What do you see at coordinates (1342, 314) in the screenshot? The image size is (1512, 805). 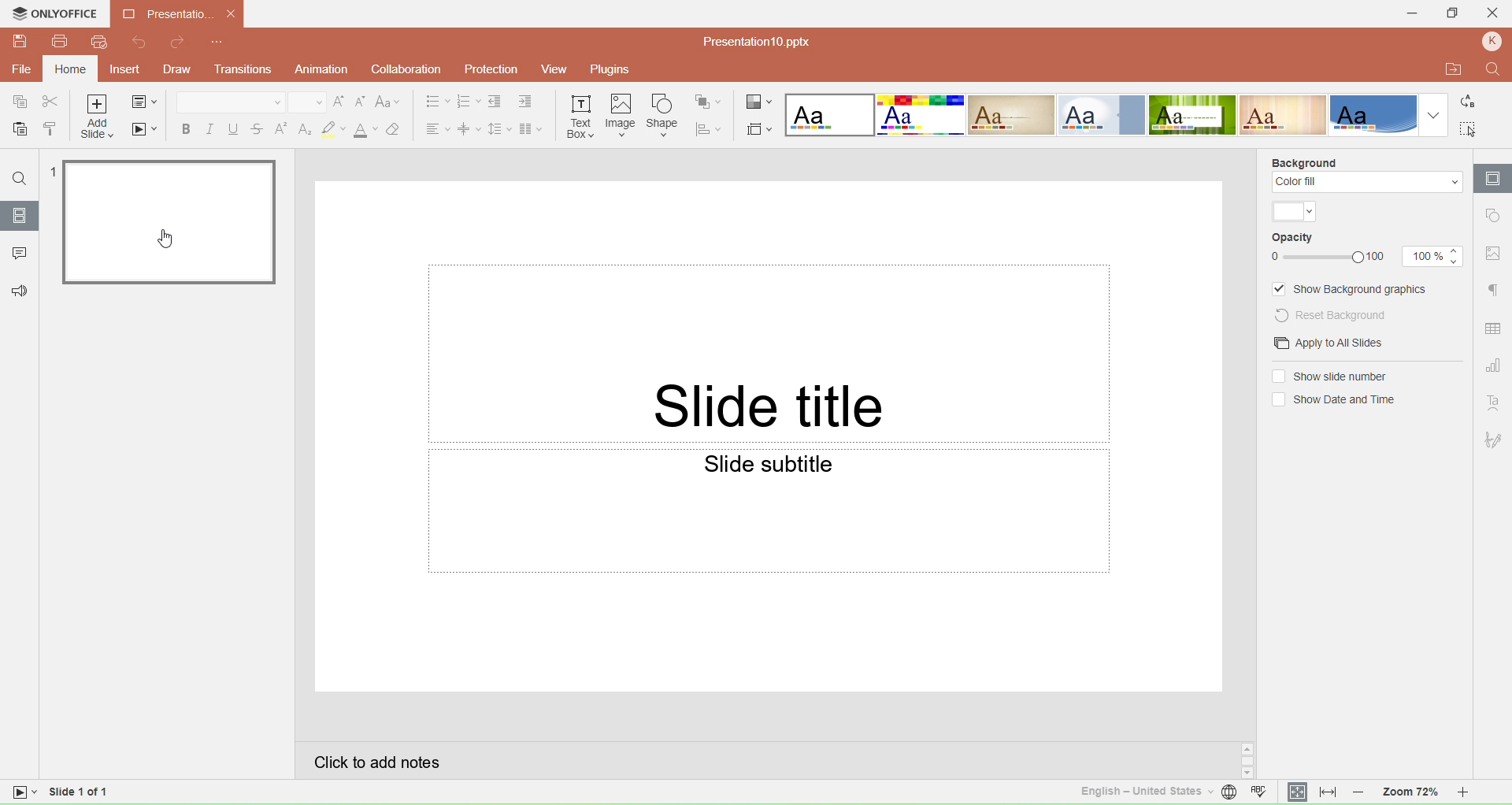 I see `Rest background` at bounding box center [1342, 314].